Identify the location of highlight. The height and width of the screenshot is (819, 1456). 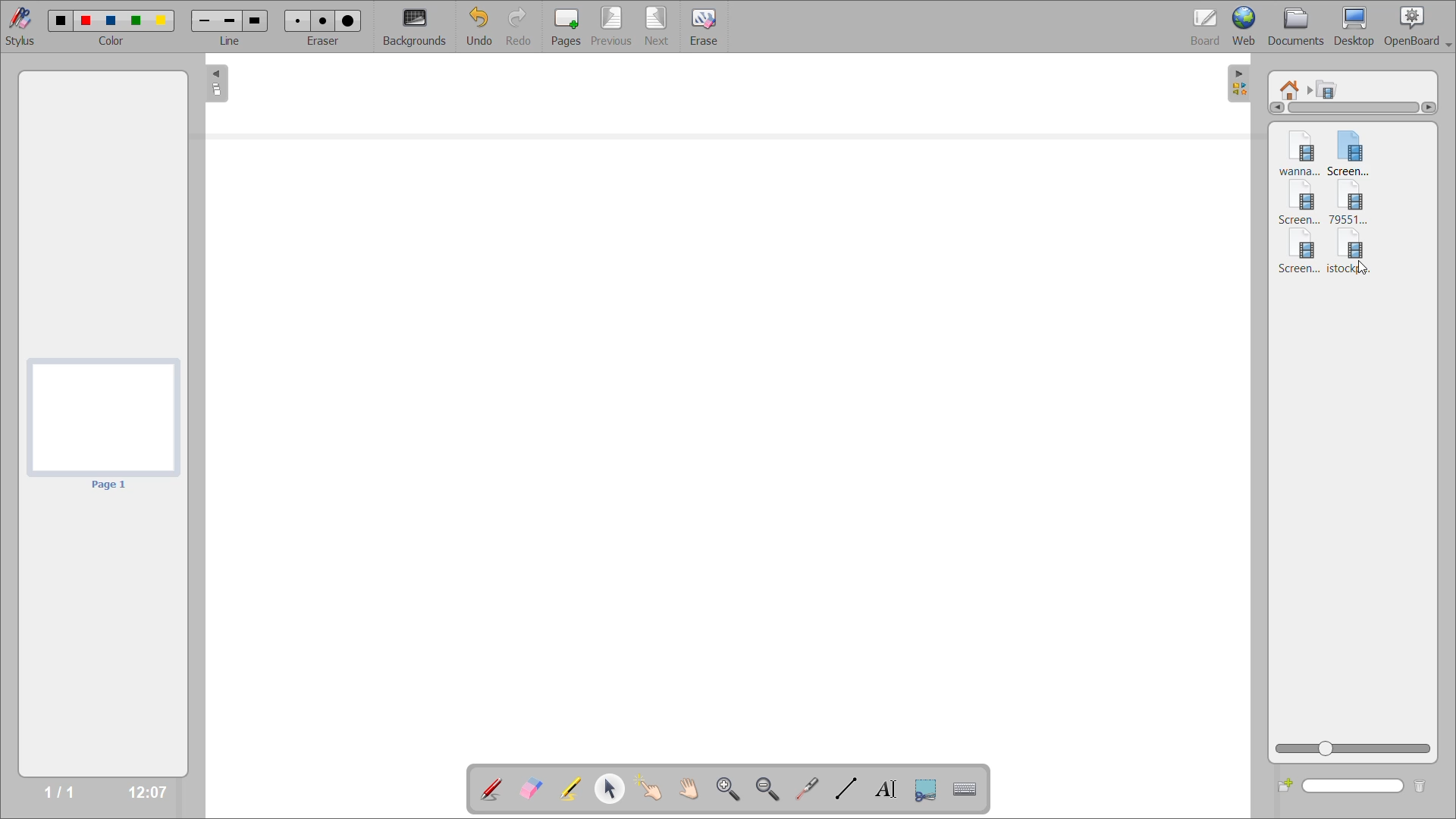
(569, 786).